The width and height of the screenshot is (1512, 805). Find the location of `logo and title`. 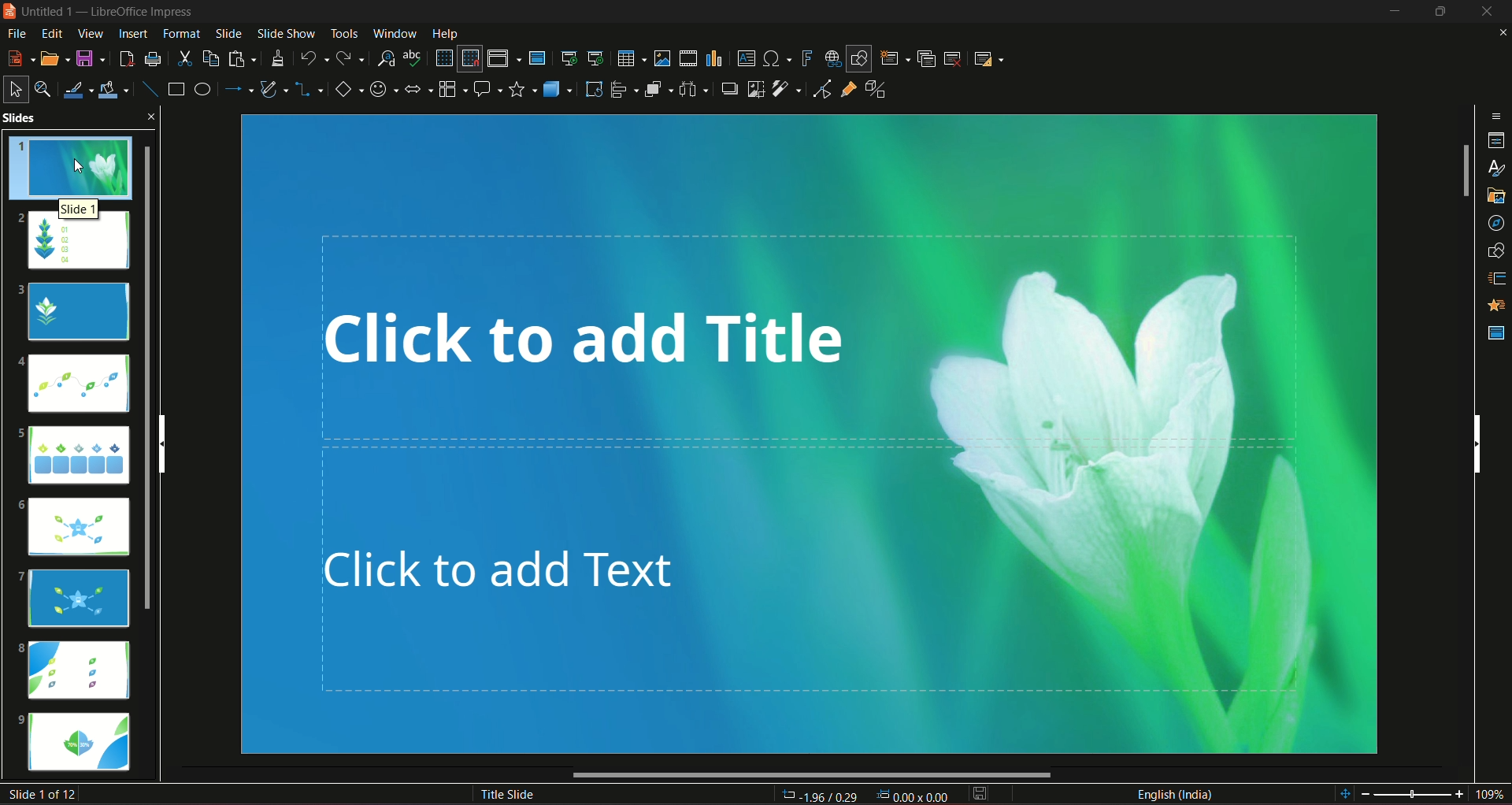

logo and title is located at coordinates (102, 14).